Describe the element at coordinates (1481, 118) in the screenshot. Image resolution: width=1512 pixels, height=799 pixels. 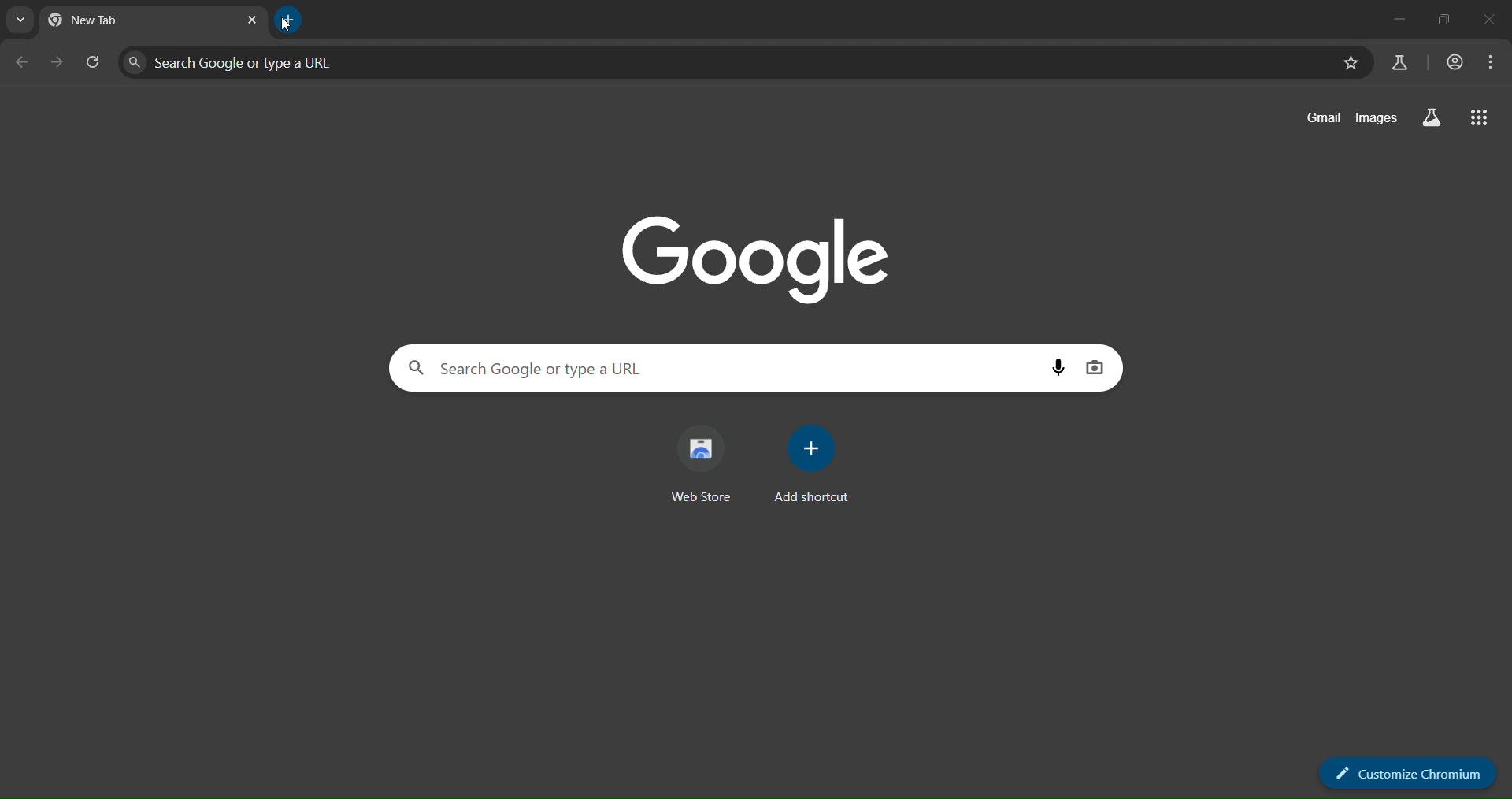
I see `google apps` at that location.